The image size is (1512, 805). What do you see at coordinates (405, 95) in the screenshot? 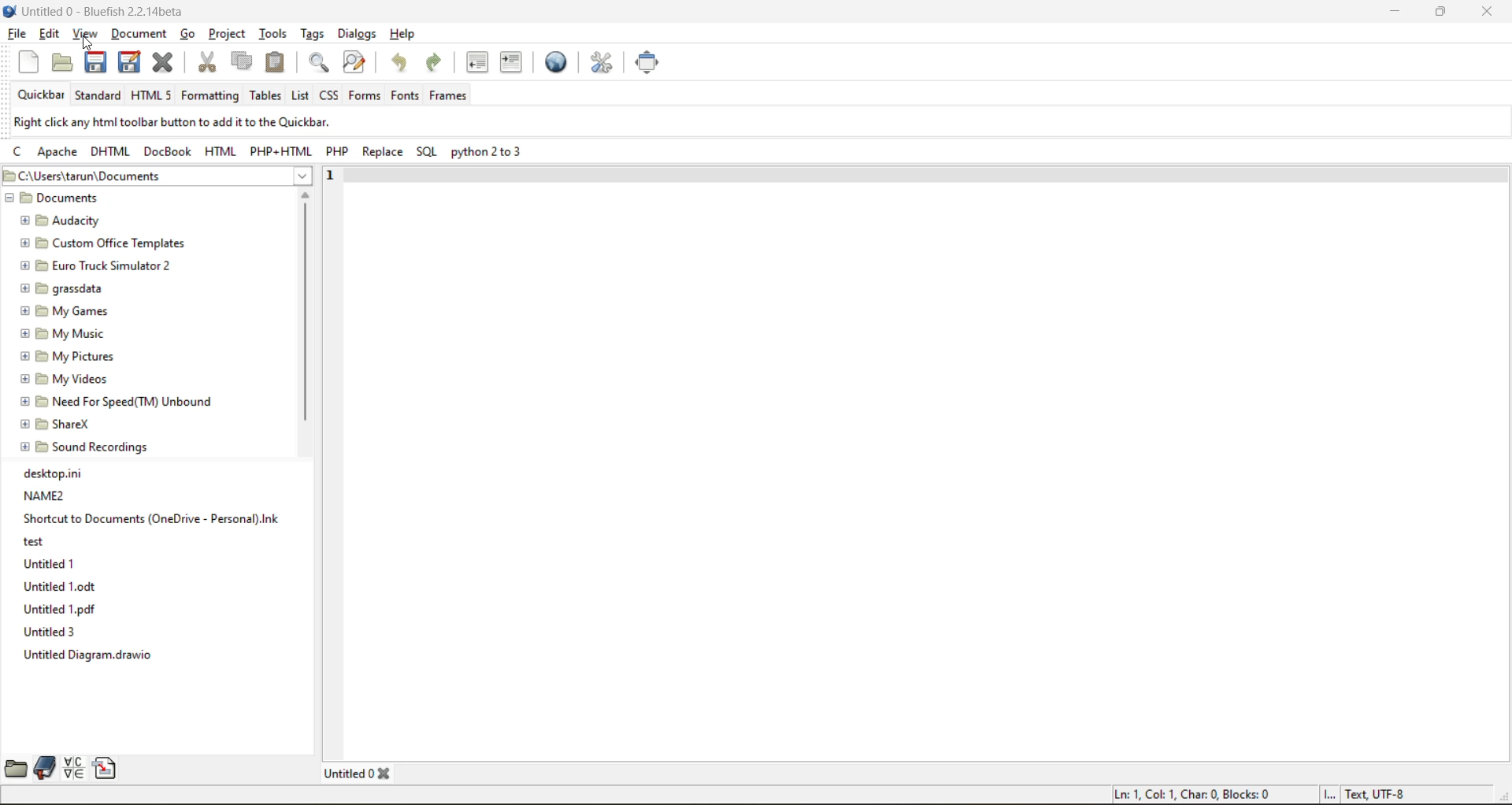
I see `fonts` at bounding box center [405, 95].